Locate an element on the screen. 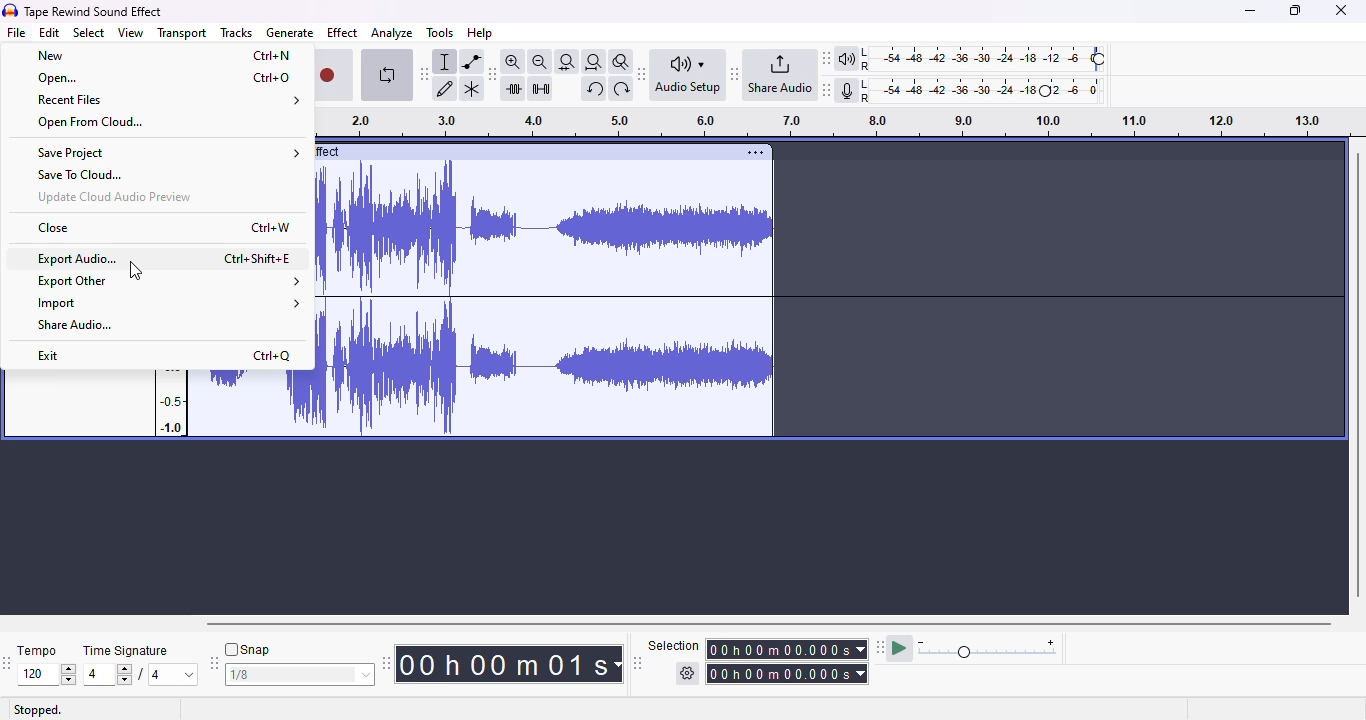  undo is located at coordinates (594, 89).